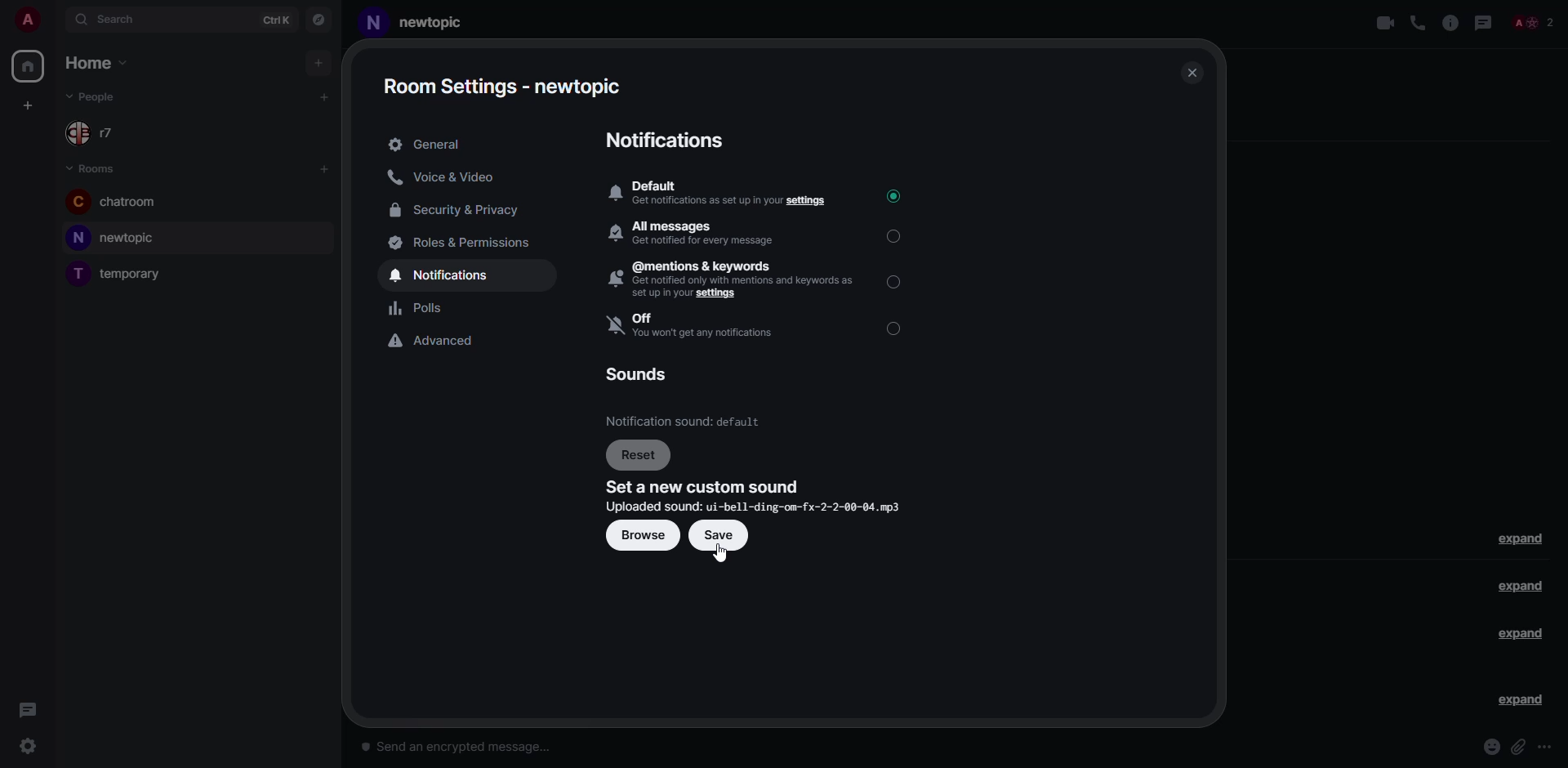  I want to click on add, so click(322, 168).